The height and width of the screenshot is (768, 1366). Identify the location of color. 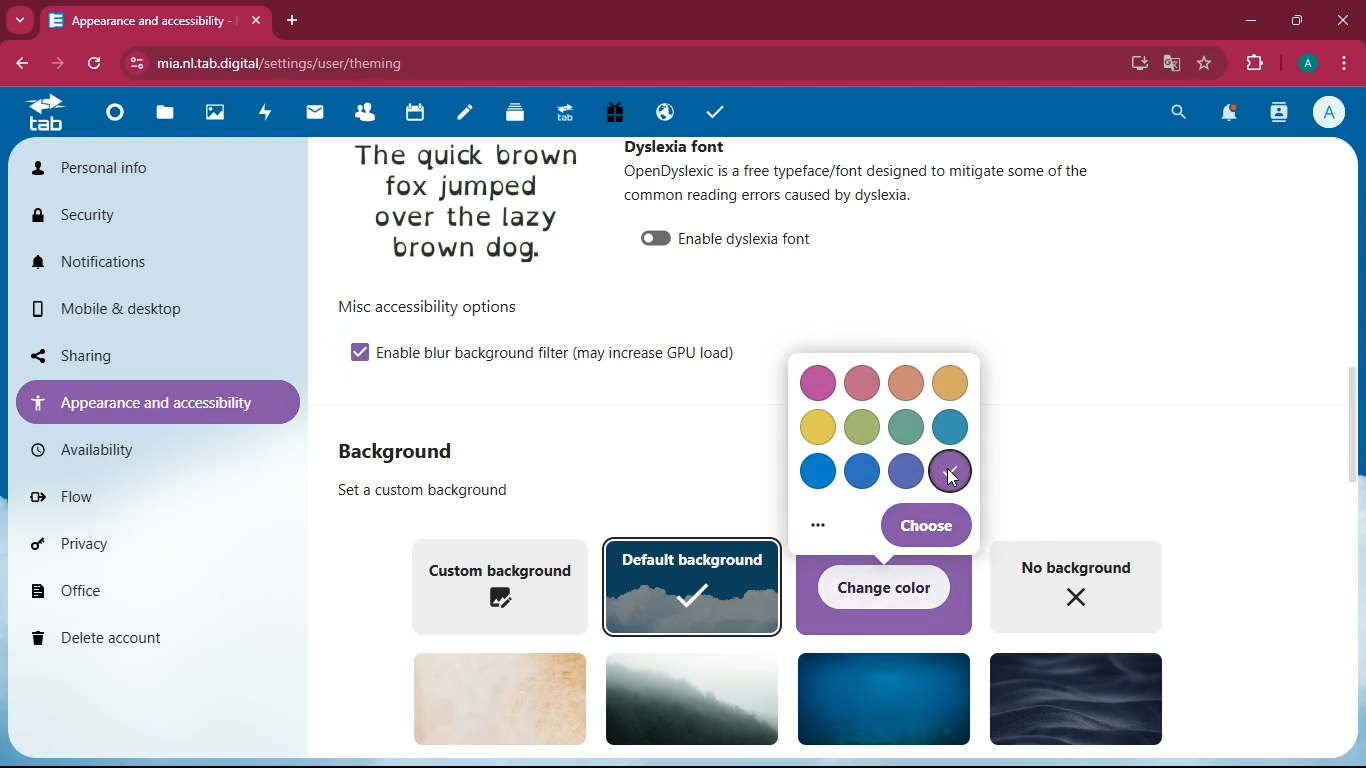
(908, 427).